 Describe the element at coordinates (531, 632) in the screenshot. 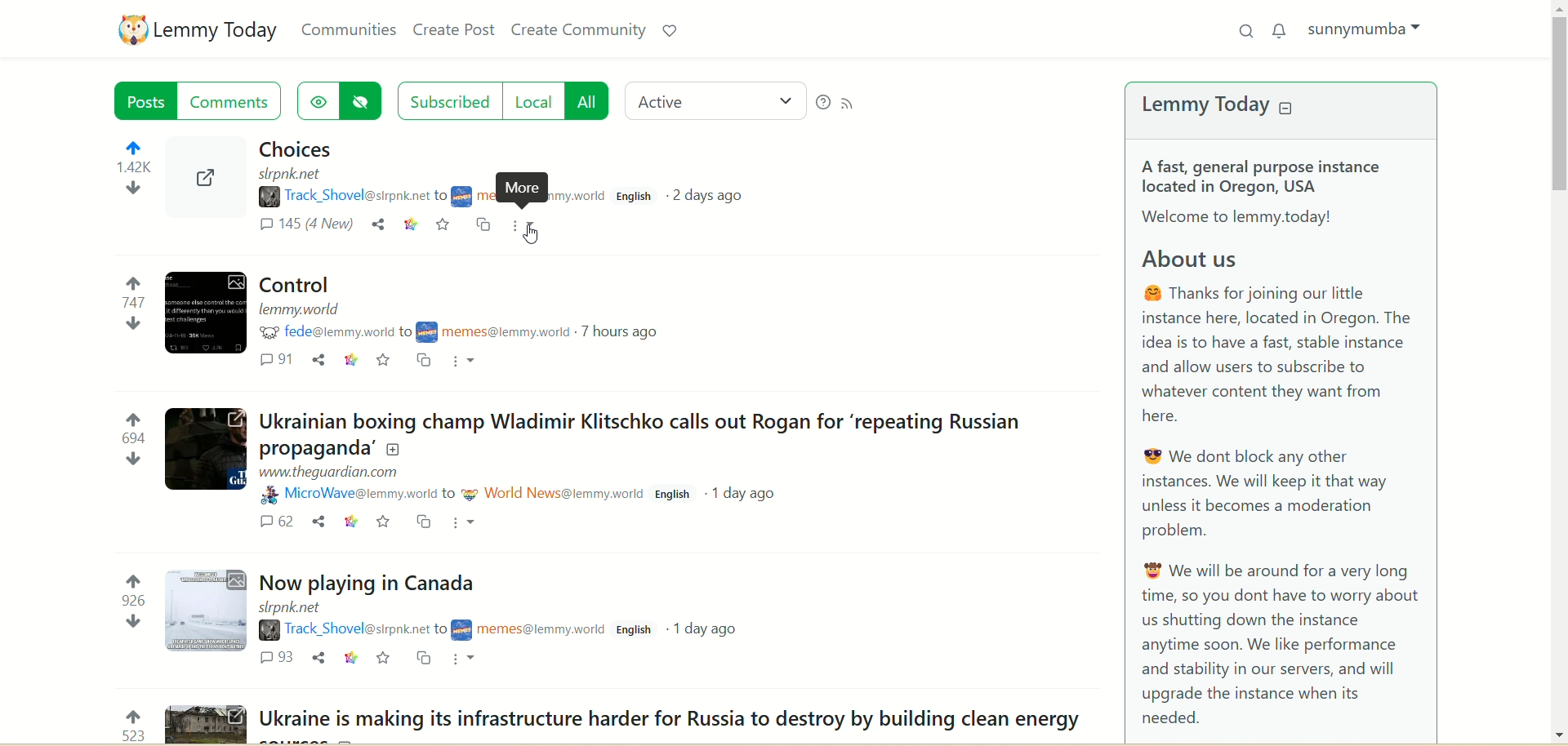

I see `community` at that location.